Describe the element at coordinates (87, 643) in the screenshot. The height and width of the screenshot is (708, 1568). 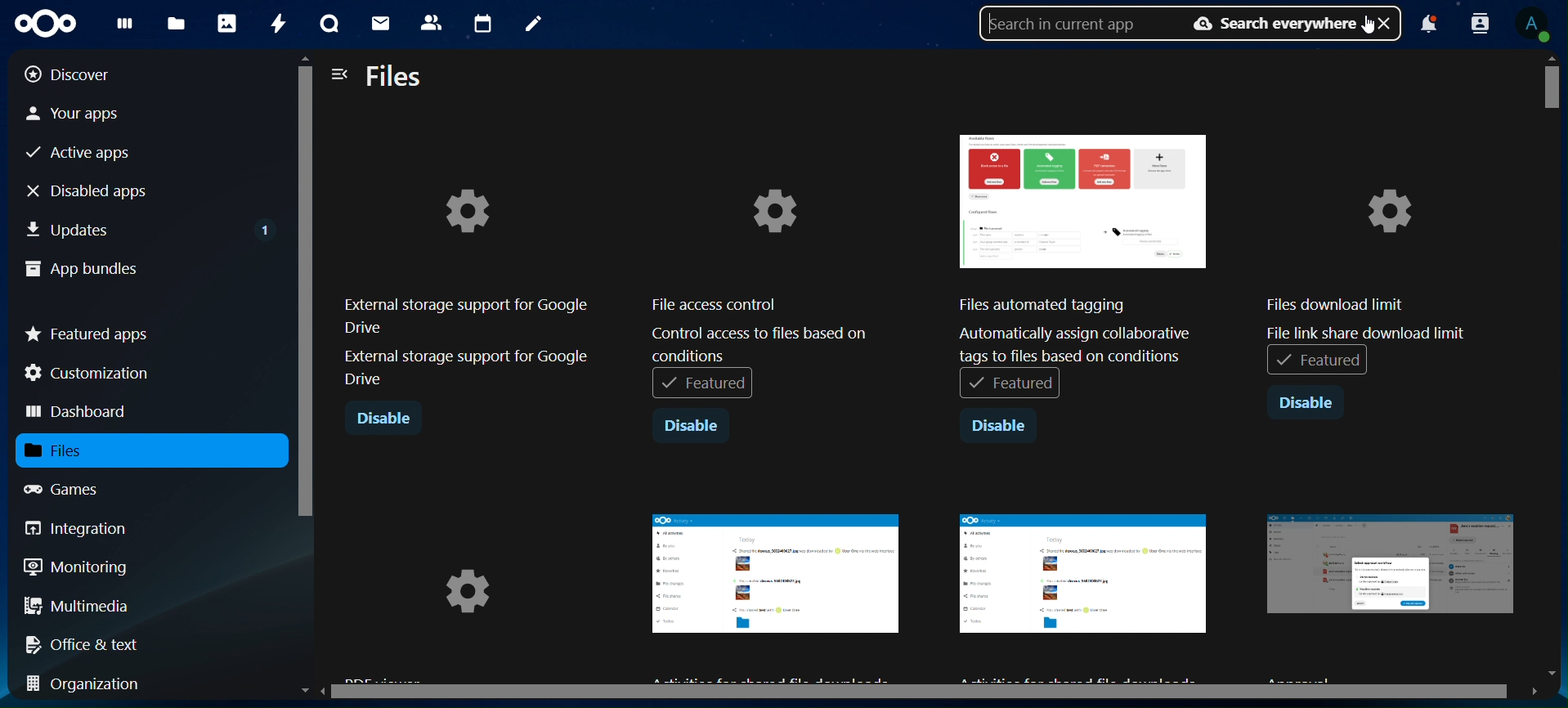
I see `office & text` at that location.